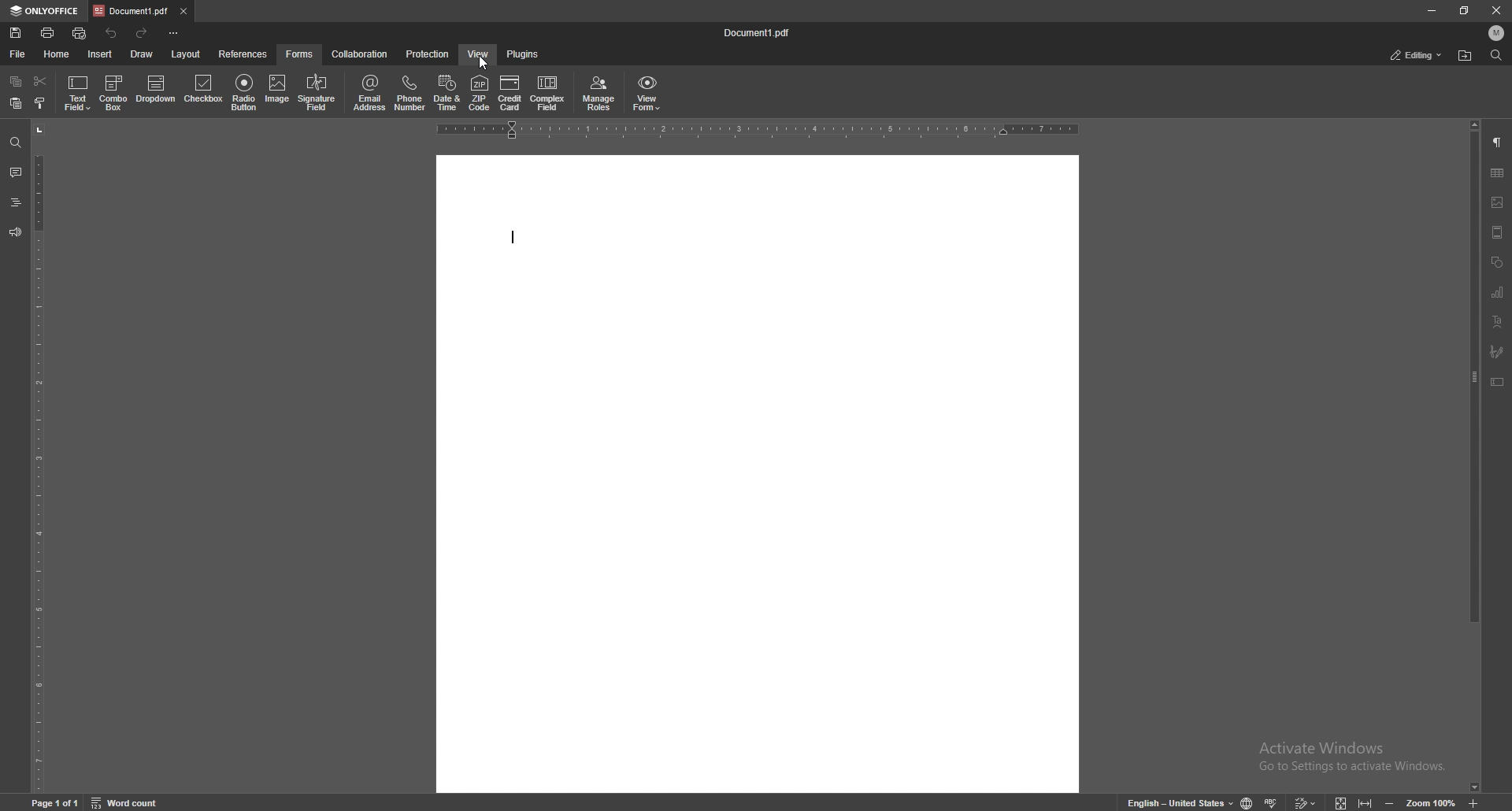 Image resolution: width=1512 pixels, height=811 pixels. What do you see at coordinates (1497, 321) in the screenshot?
I see `text art` at bounding box center [1497, 321].